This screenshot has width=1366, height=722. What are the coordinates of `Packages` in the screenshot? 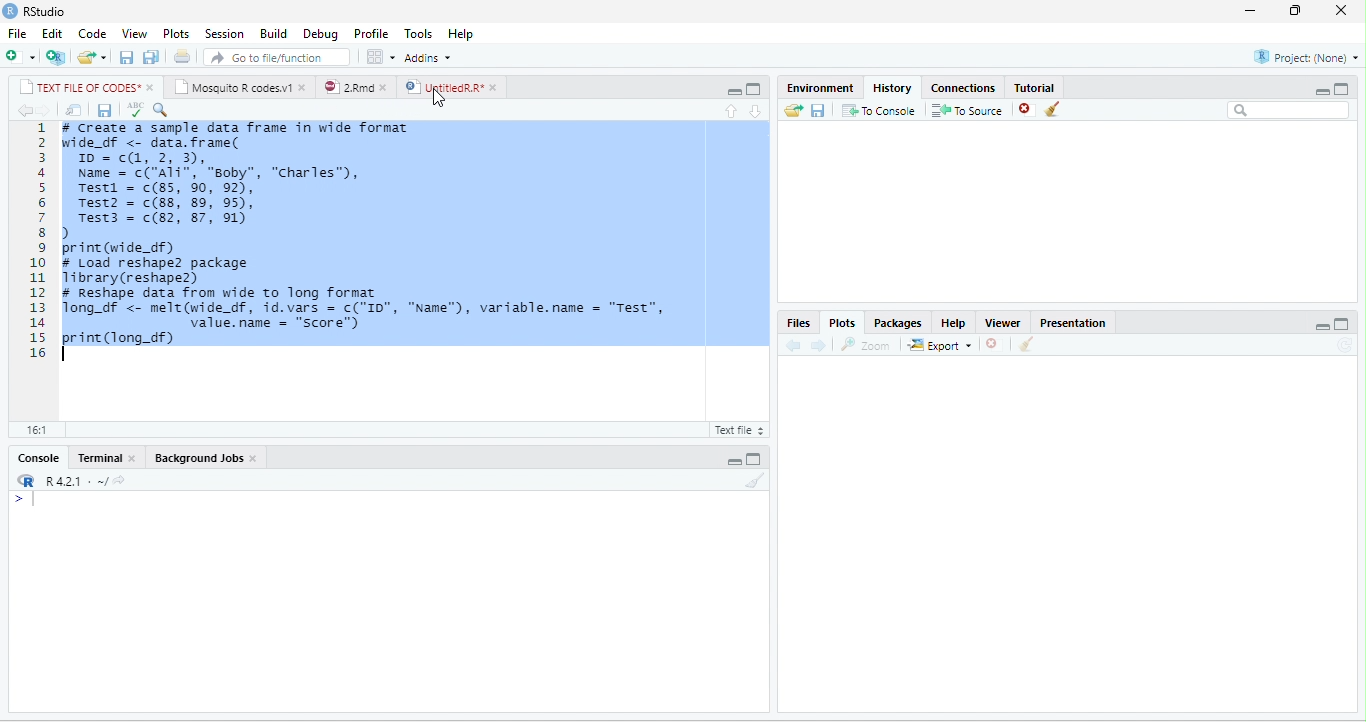 It's located at (899, 323).